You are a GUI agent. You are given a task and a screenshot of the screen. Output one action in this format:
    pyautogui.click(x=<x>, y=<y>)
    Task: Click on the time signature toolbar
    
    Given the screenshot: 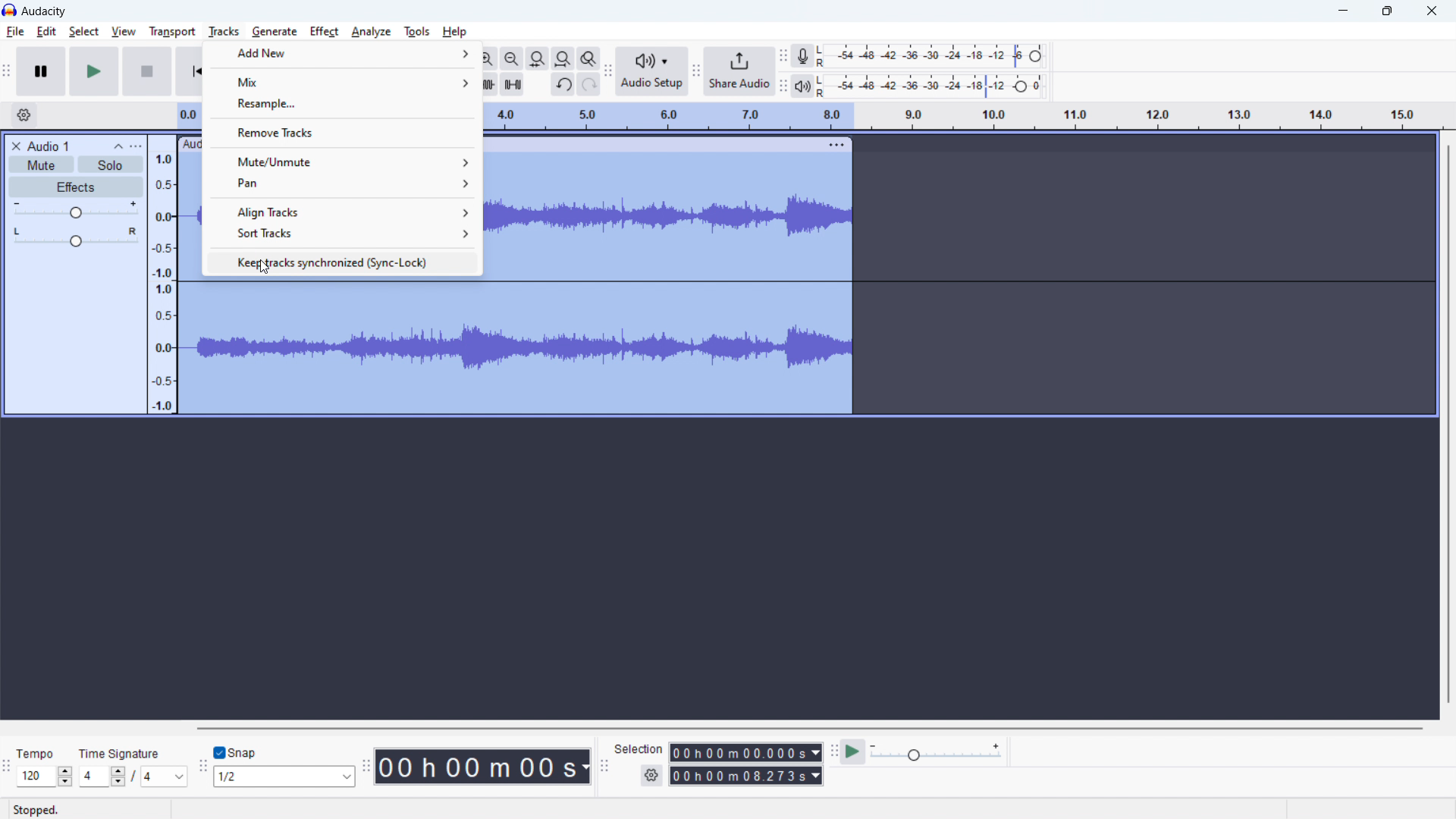 What is the action you would take?
    pyautogui.click(x=7, y=767)
    